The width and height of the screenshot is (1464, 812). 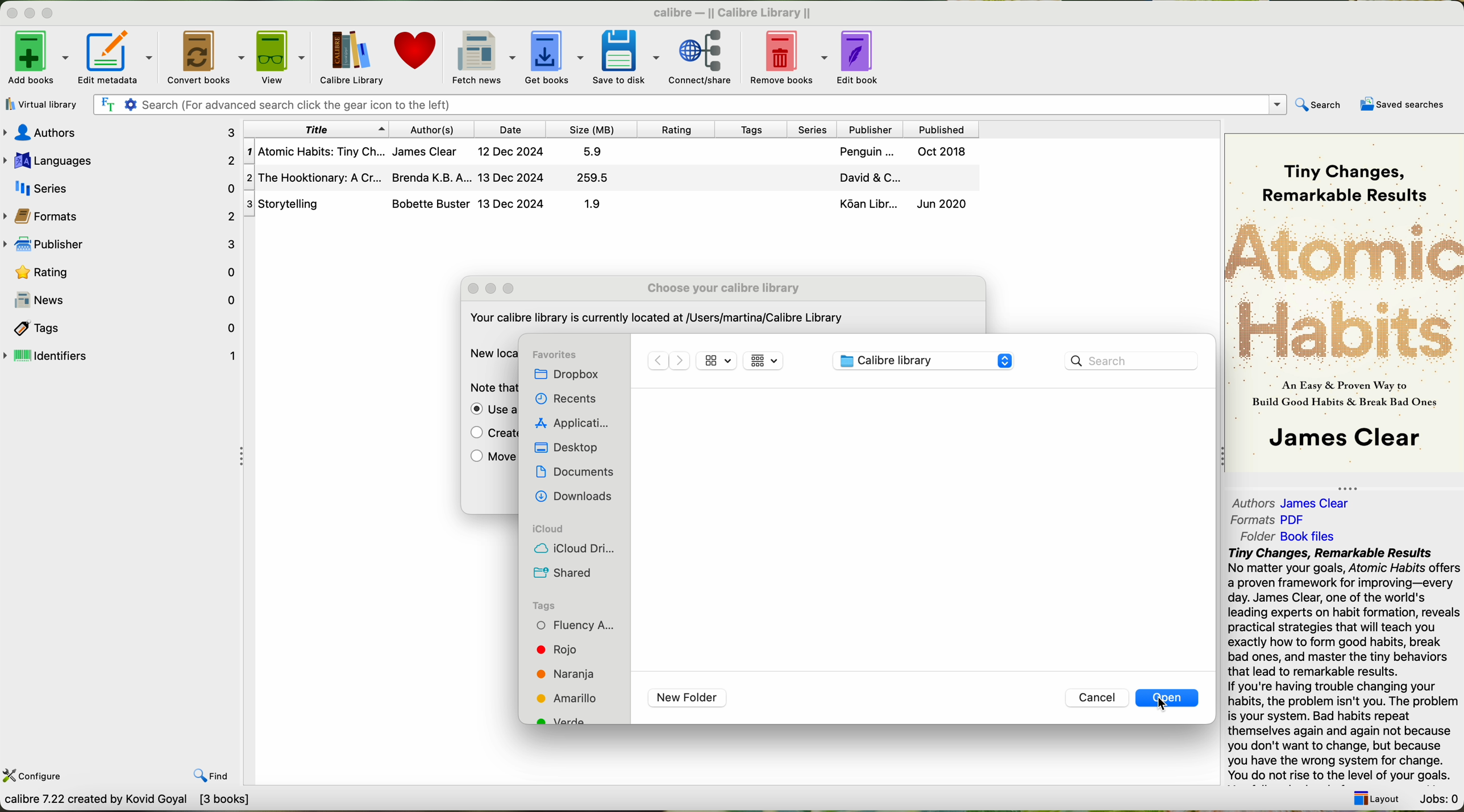 I want to click on icloud, so click(x=573, y=528).